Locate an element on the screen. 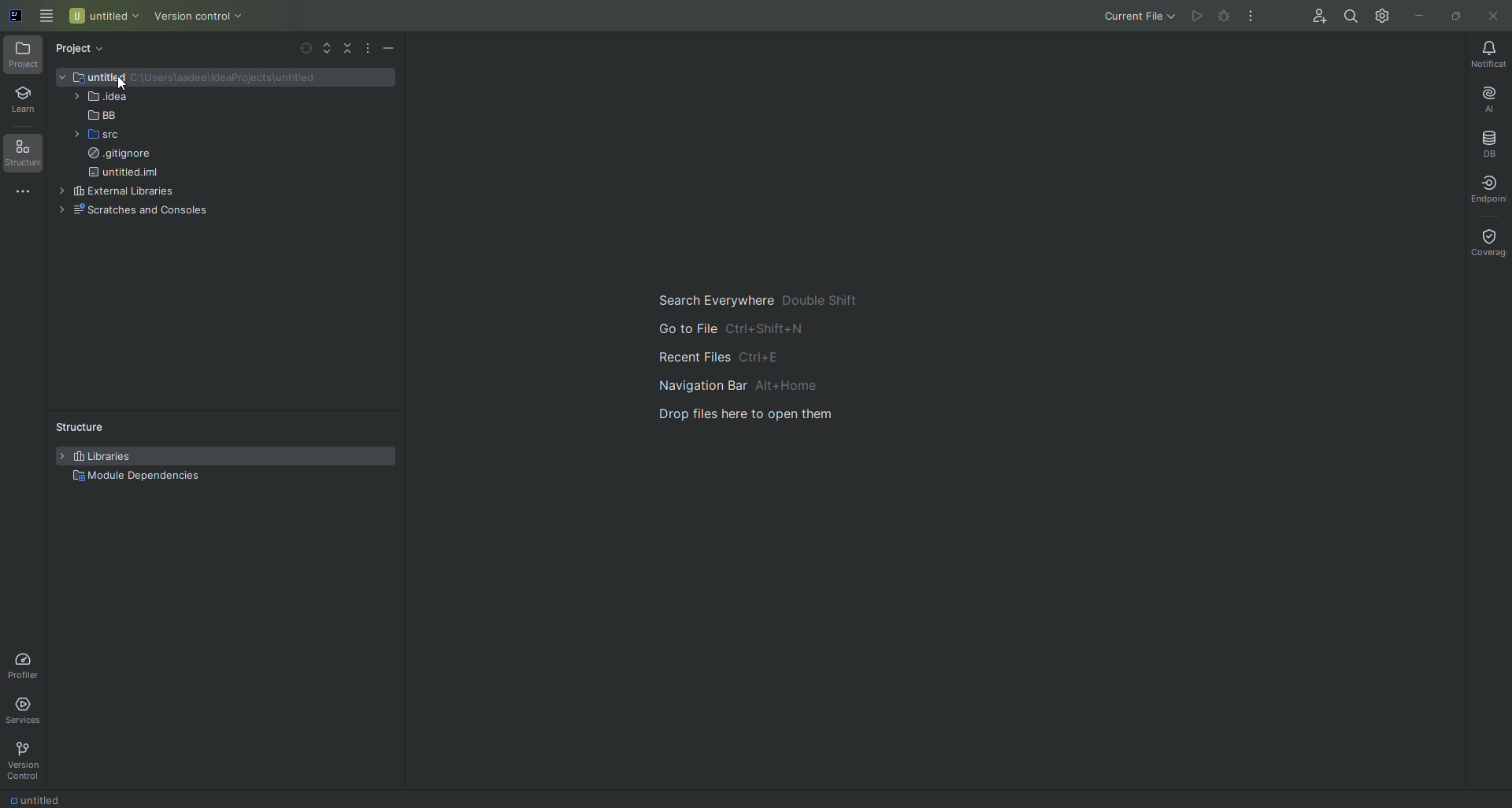 The height and width of the screenshot is (808, 1512). Untitled is located at coordinates (104, 17).